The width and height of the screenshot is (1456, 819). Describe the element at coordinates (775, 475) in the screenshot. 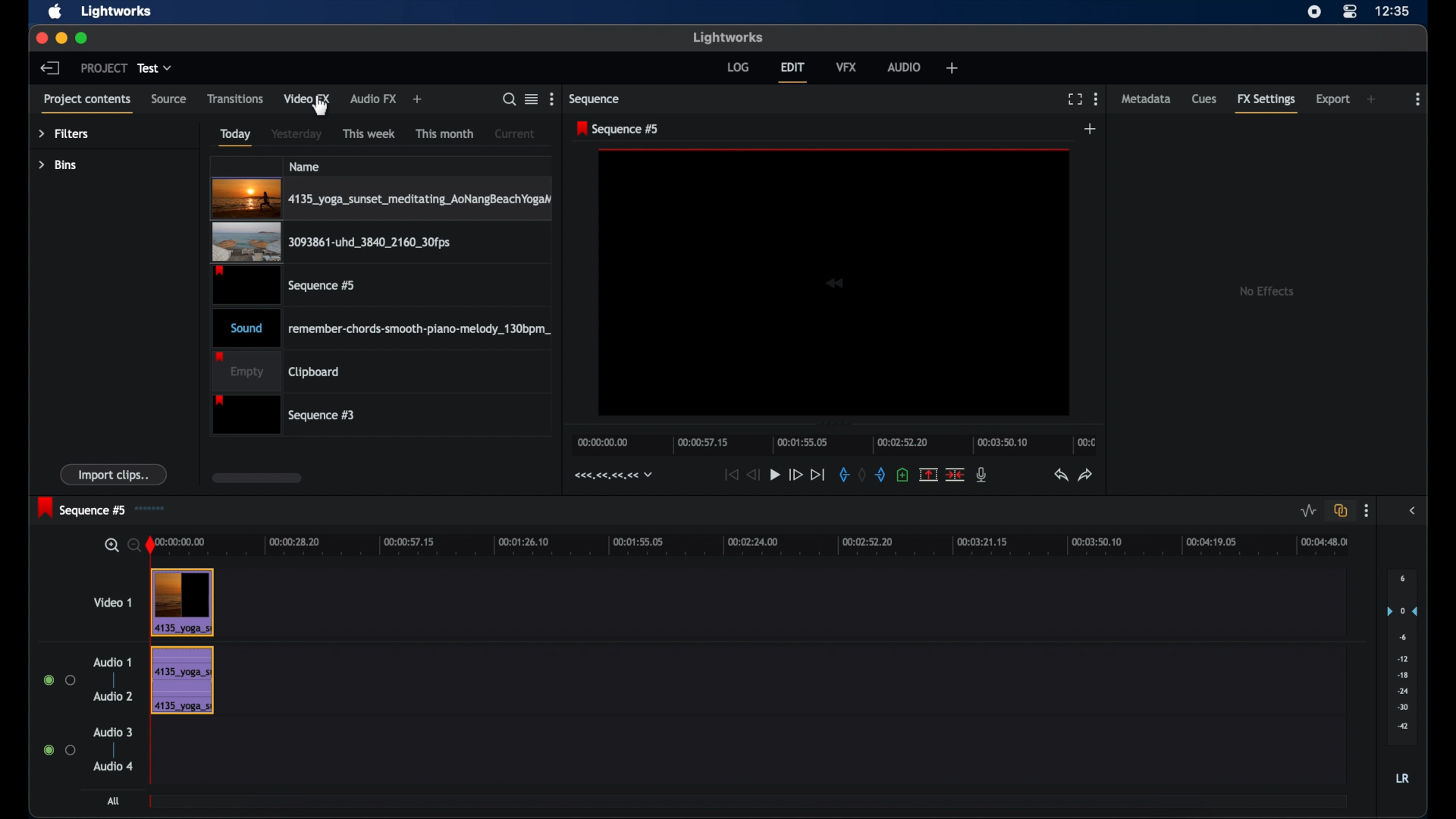

I see `play ` at that location.